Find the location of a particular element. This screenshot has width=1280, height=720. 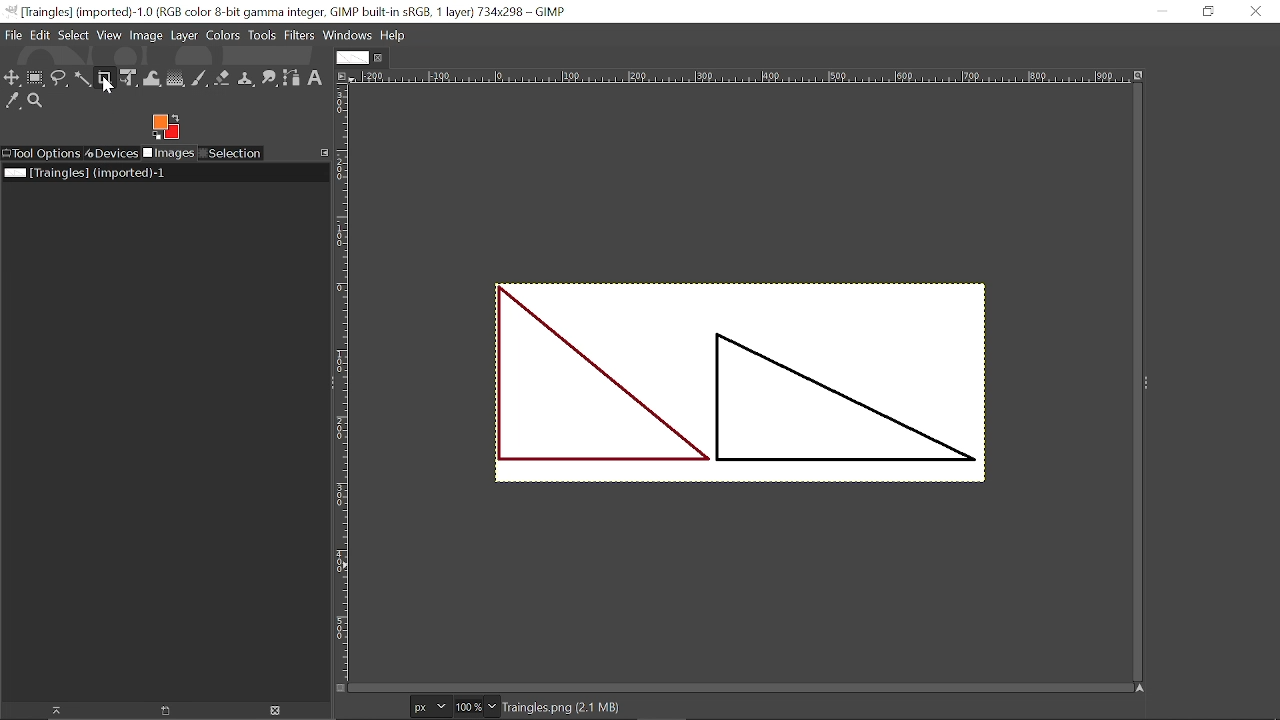

New image display for this image is located at coordinates (166, 711).